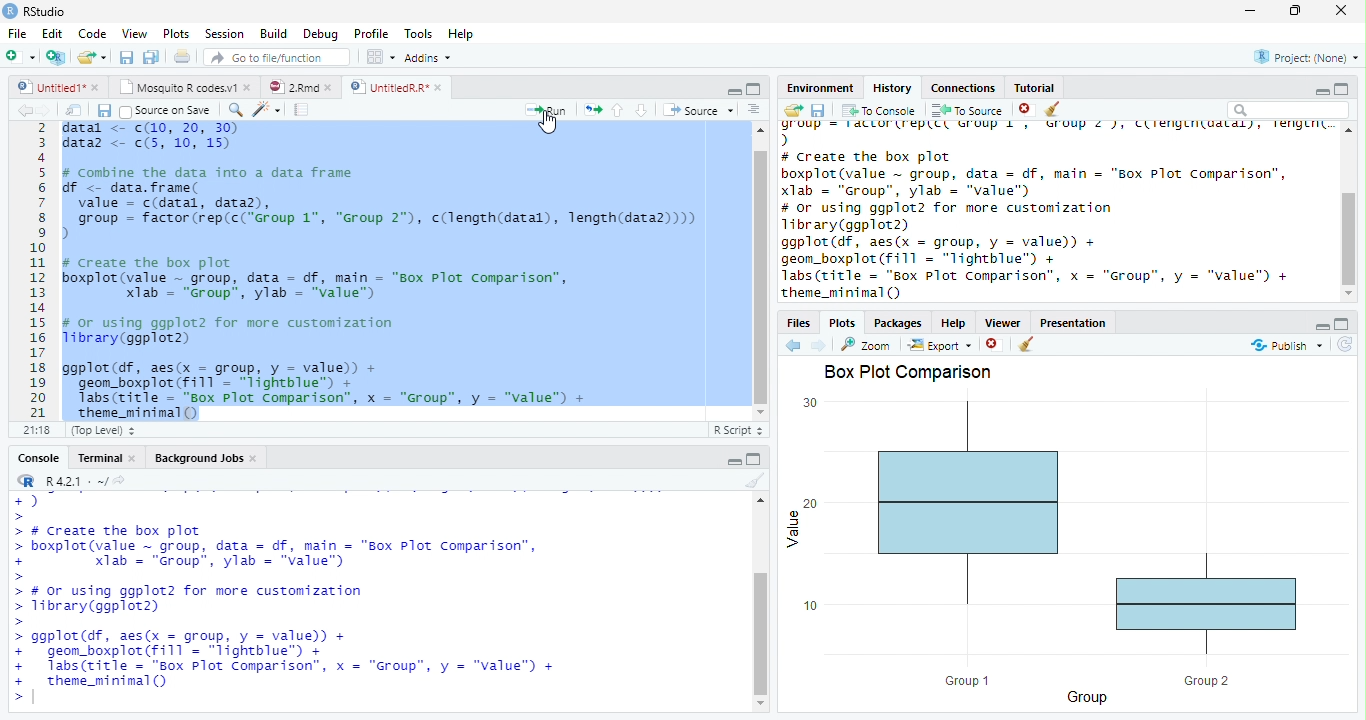  What do you see at coordinates (378, 56) in the screenshot?
I see `Workspace panes` at bounding box center [378, 56].